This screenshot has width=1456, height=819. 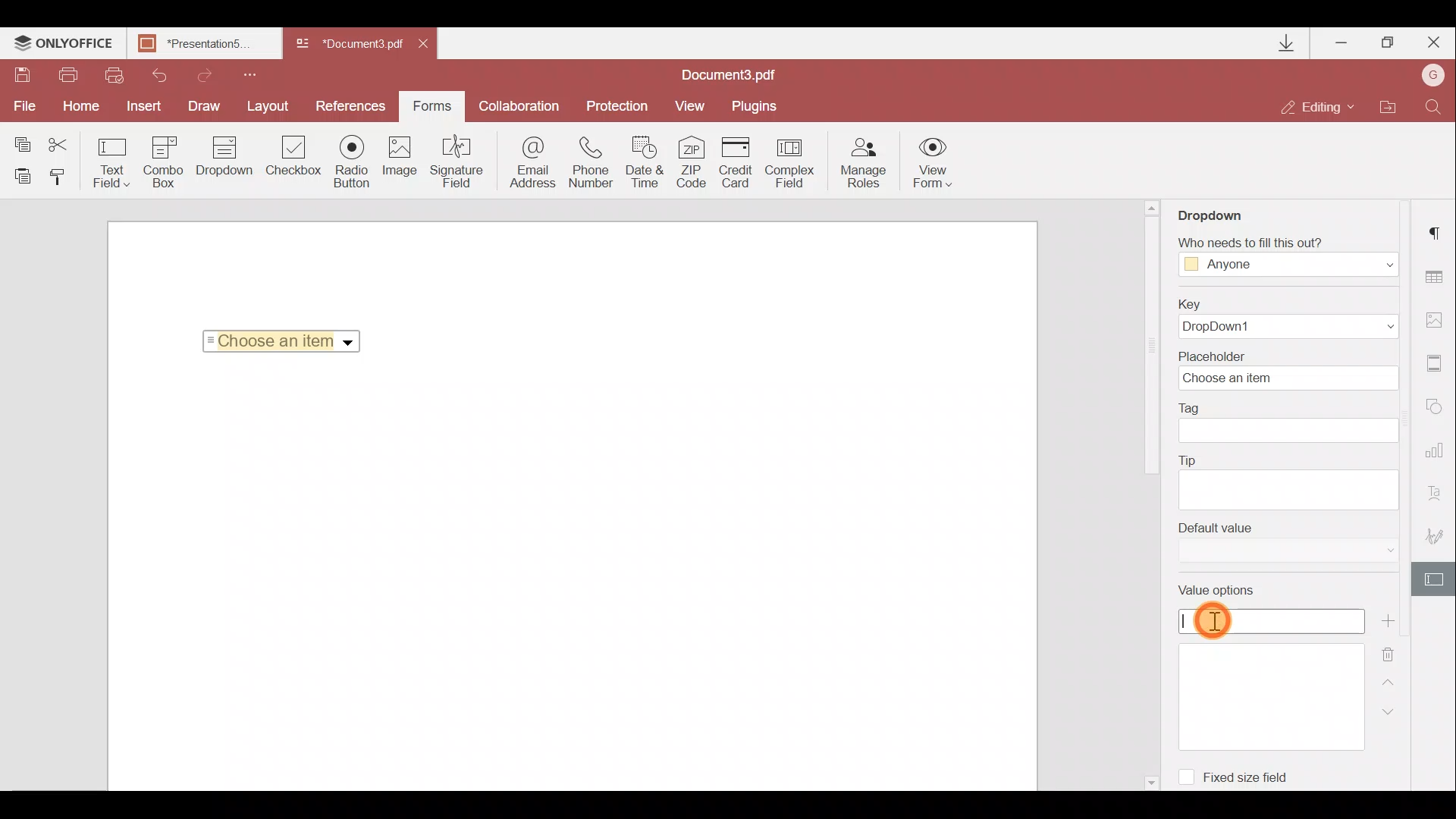 What do you see at coordinates (112, 74) in the screenshot?
I see `Quick print` at bounding box center [112, 74].